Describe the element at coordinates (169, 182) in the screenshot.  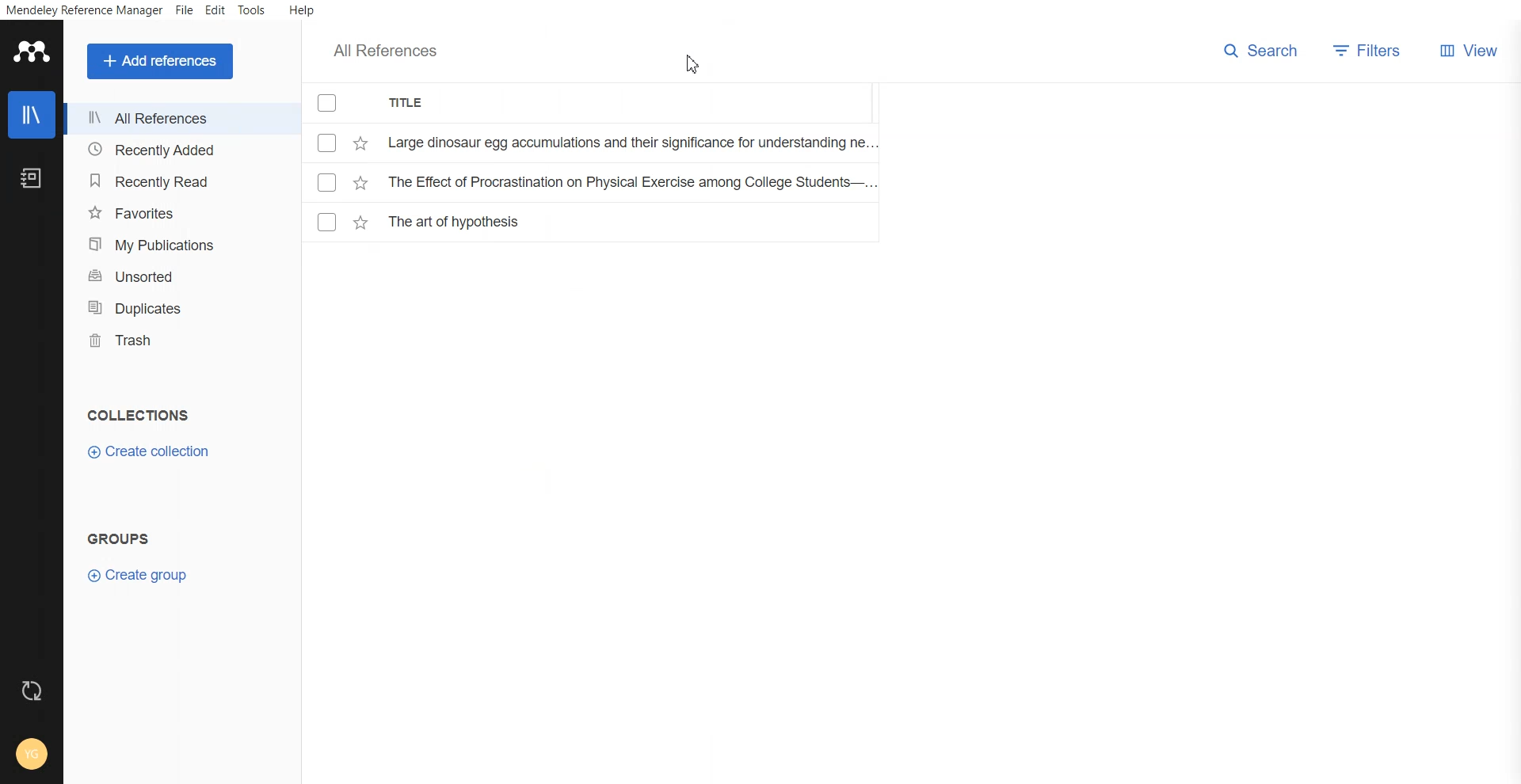
I see `Recently Read` at that location.